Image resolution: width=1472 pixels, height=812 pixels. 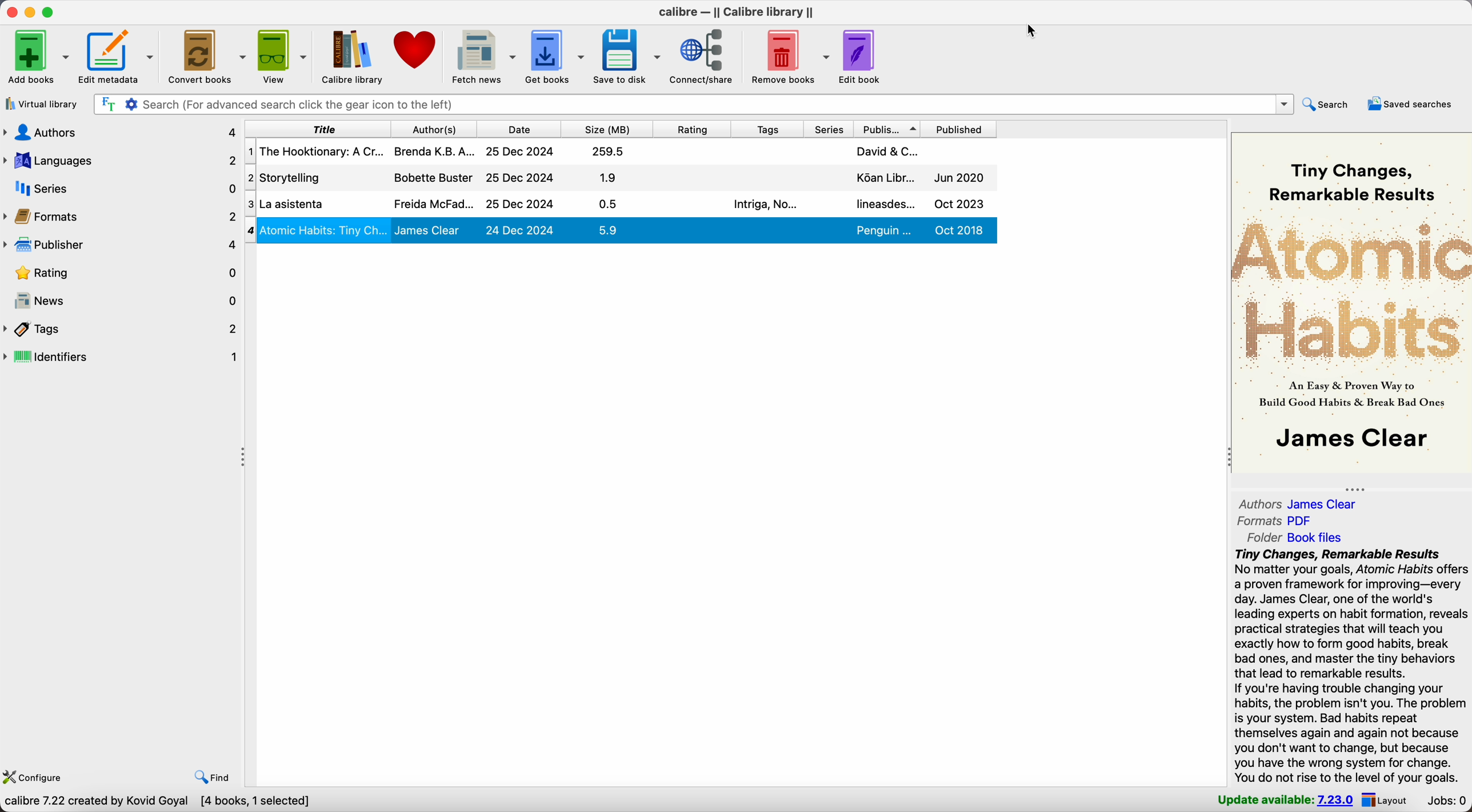 What do you see at coordinates (318, 130) in the screenshot?
I see `title` at bounding box center [318, 130].